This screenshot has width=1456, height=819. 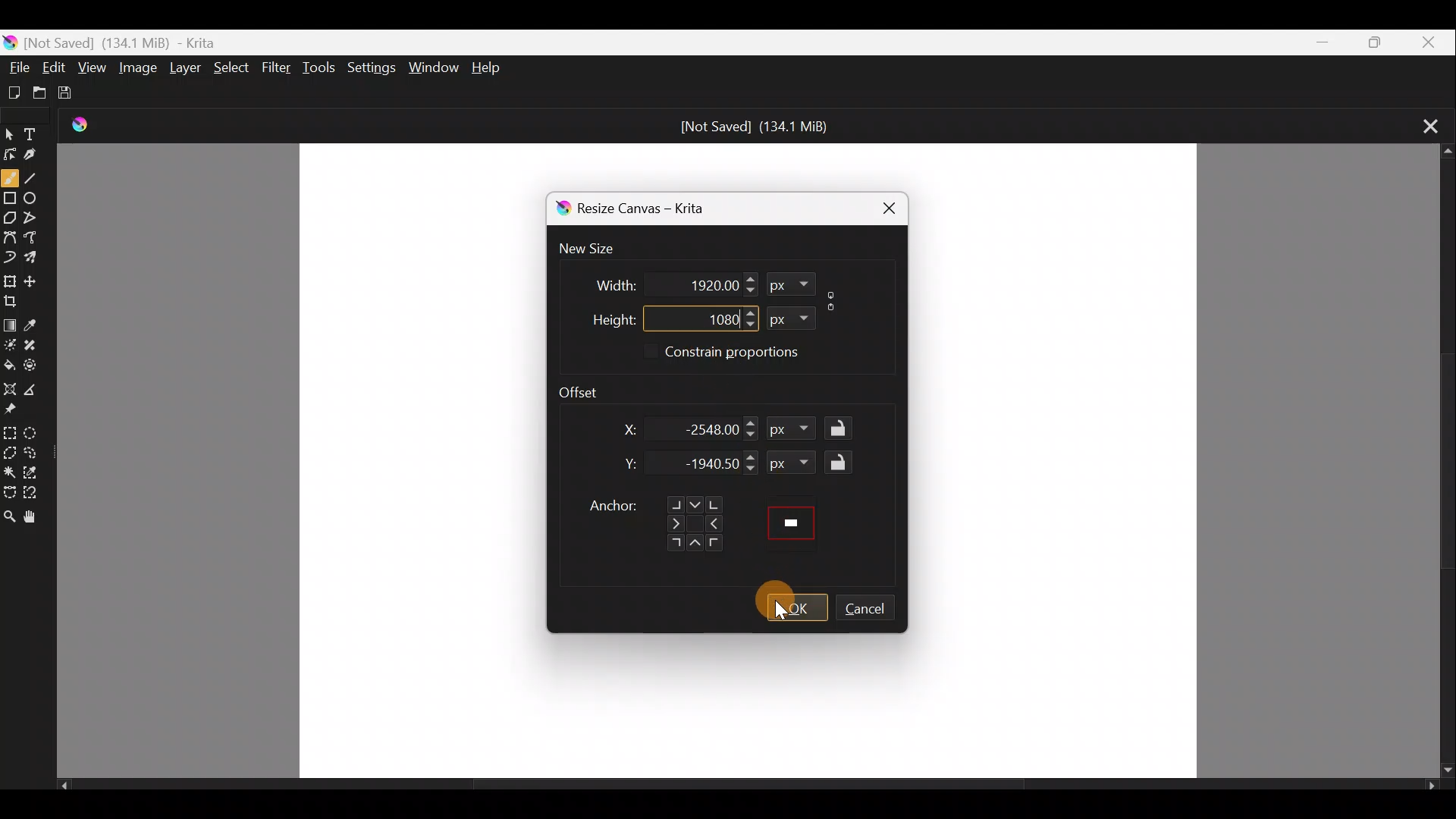 I want to click on Krita logo, so click(x=560, y=209).